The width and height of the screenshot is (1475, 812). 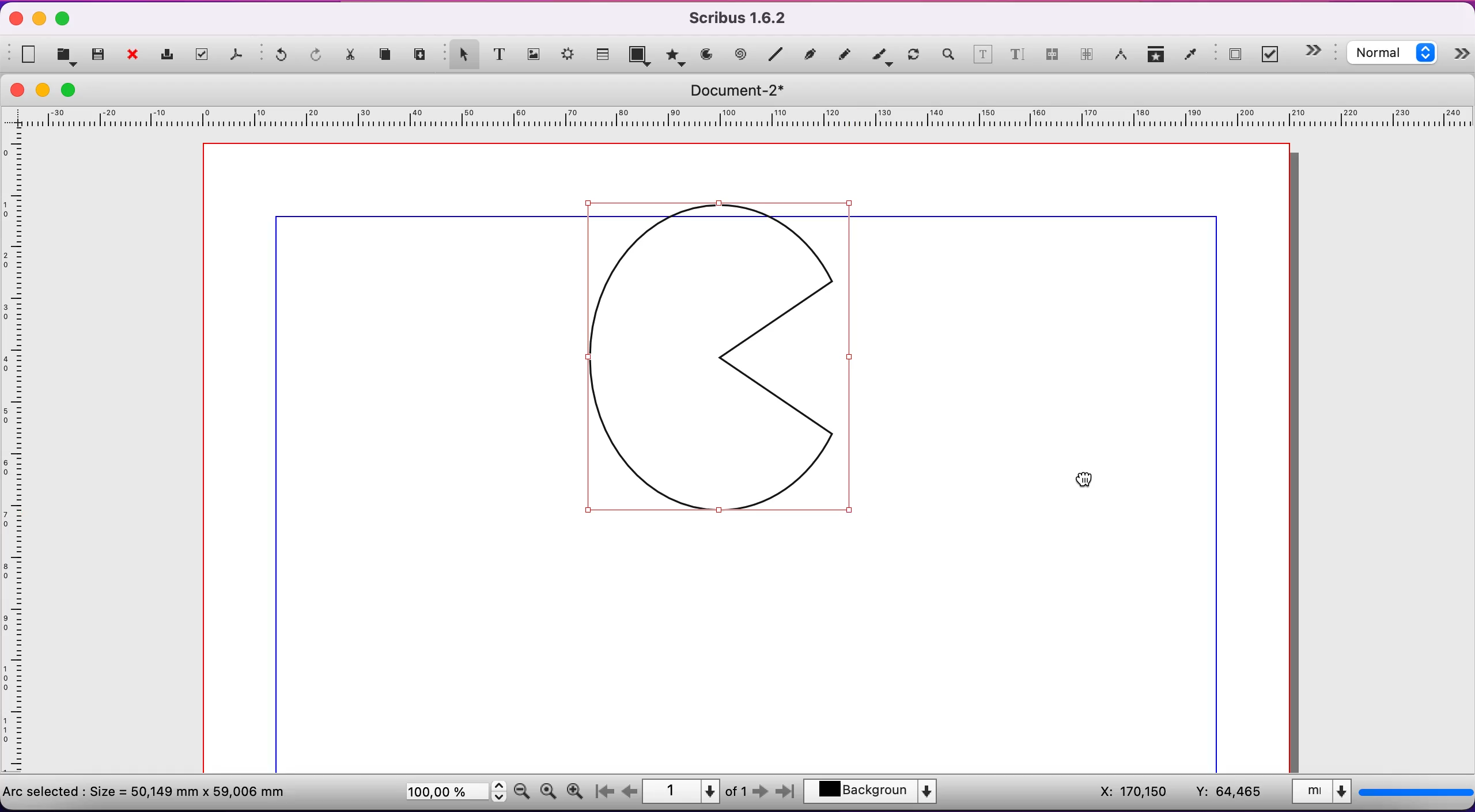 I want to click on insert pdf press button, so click(x=1231, y=55).